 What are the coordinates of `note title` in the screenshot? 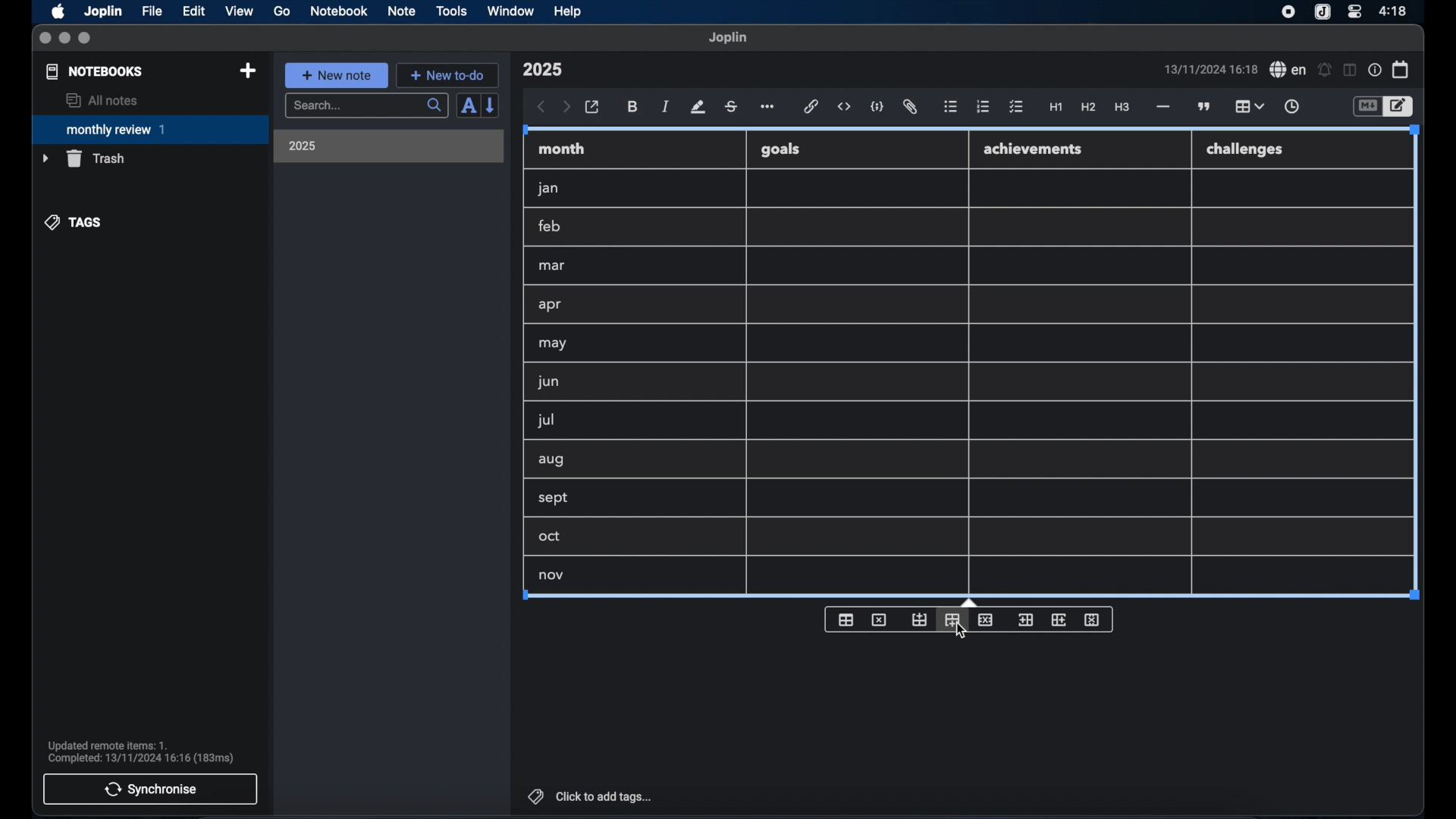 It's located at (542, 70).